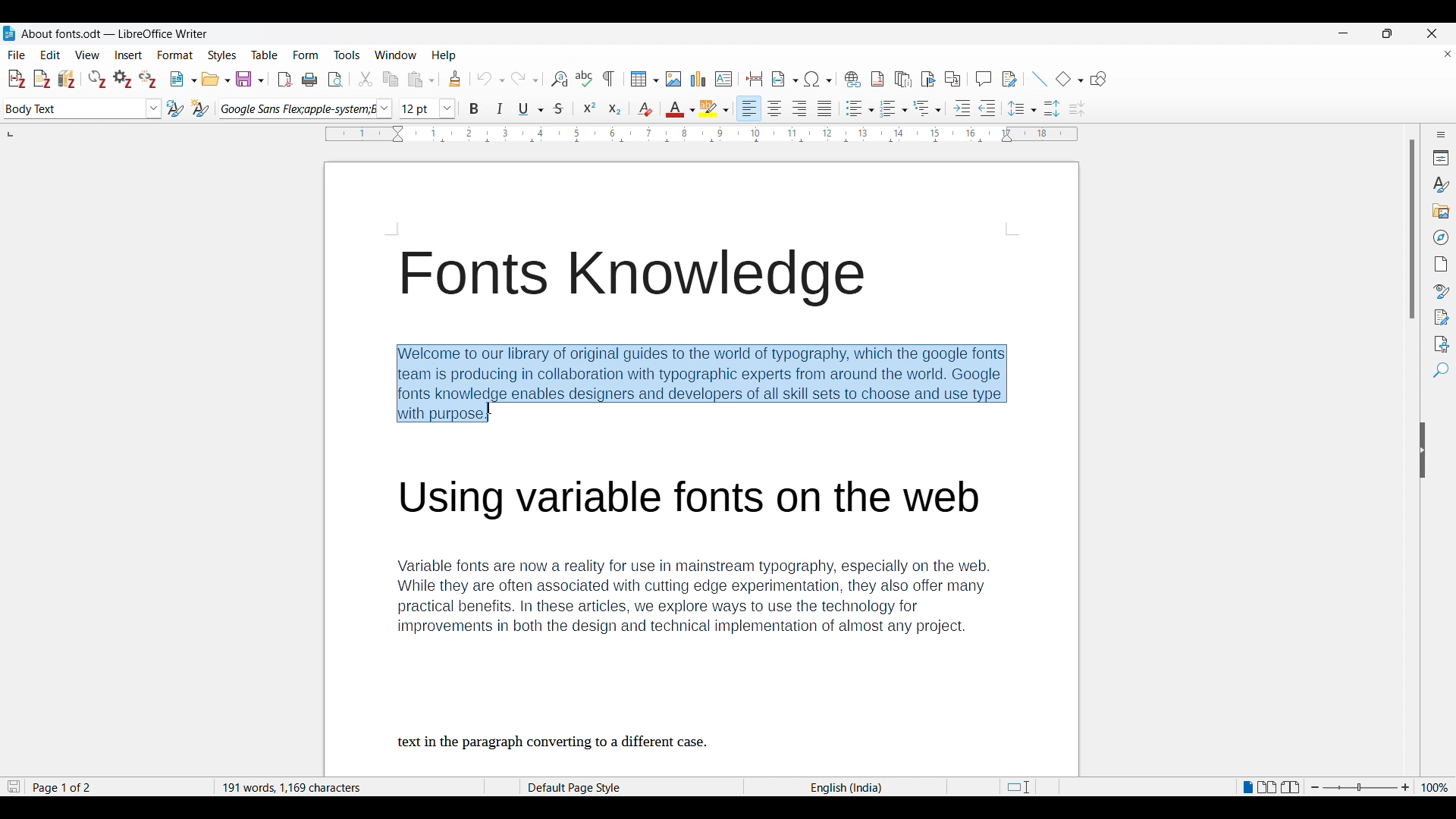 This screenshot has width=1456, height=819. What do you see at coordinates (293, 786) in the screenshot?
I see `191 words, 1,169 characters` at bounding box center [293, 786].